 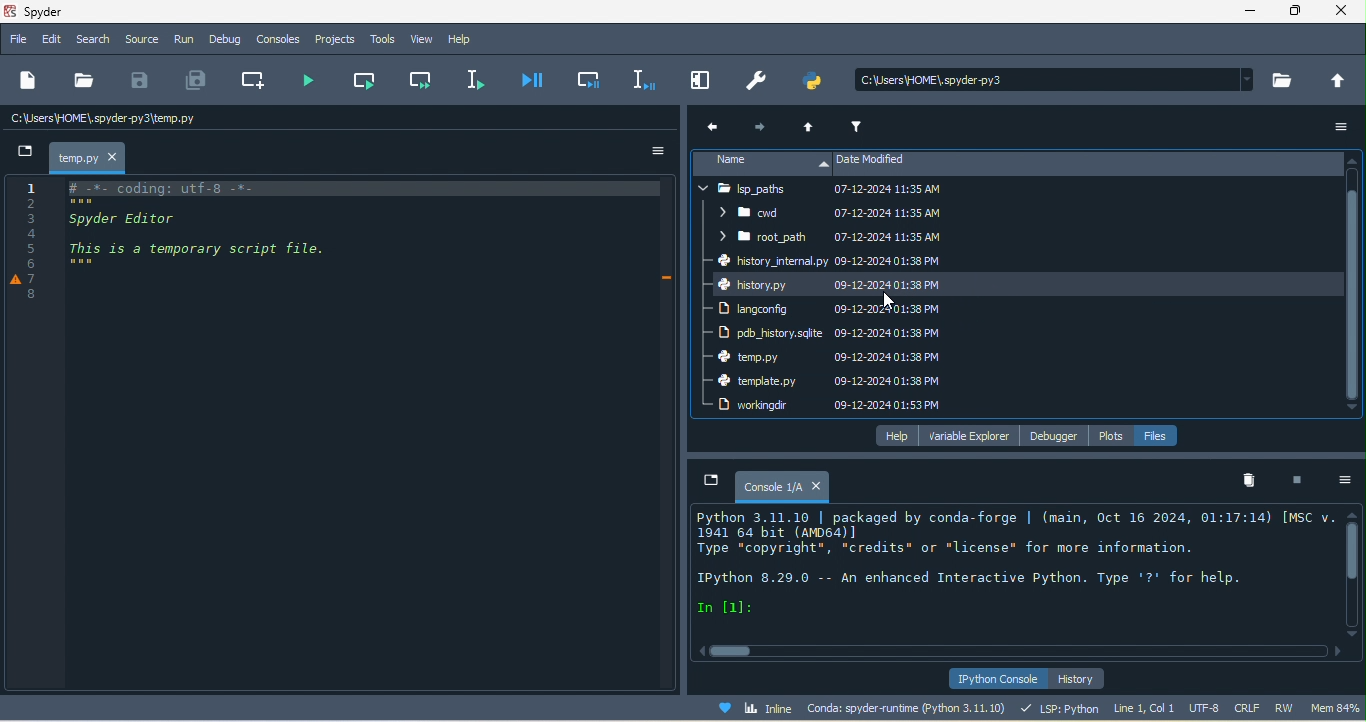 What do you see at coordinates (656, 152) in the screenshot?
I see `option` at bounding box center [656, 152].